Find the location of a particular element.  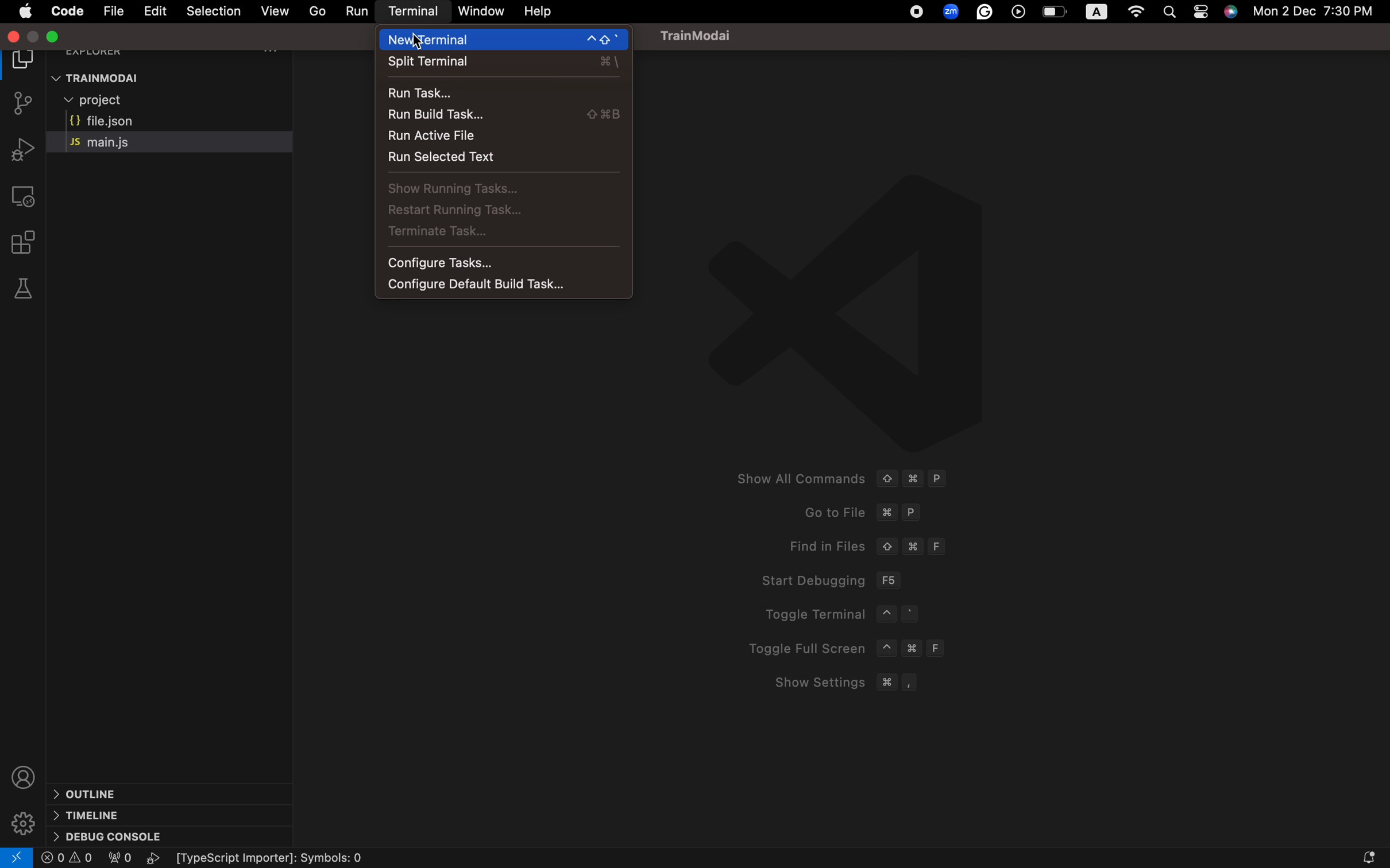

terminal is located at coordinates (415, 13).